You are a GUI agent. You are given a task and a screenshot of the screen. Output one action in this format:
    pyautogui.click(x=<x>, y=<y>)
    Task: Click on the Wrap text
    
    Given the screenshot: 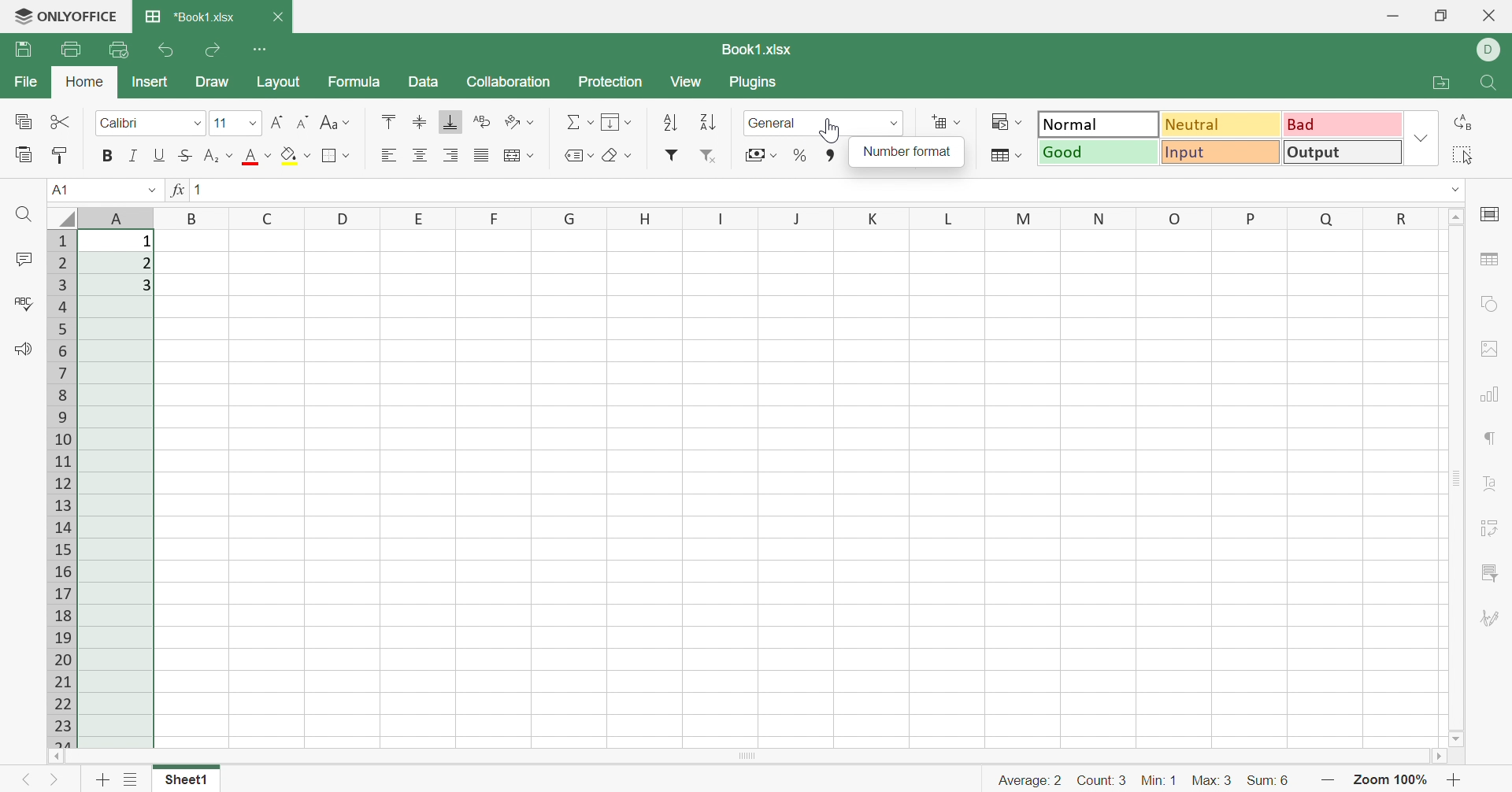 What is the action you would take?
    pyautogui.click(x=521, y=157)
    